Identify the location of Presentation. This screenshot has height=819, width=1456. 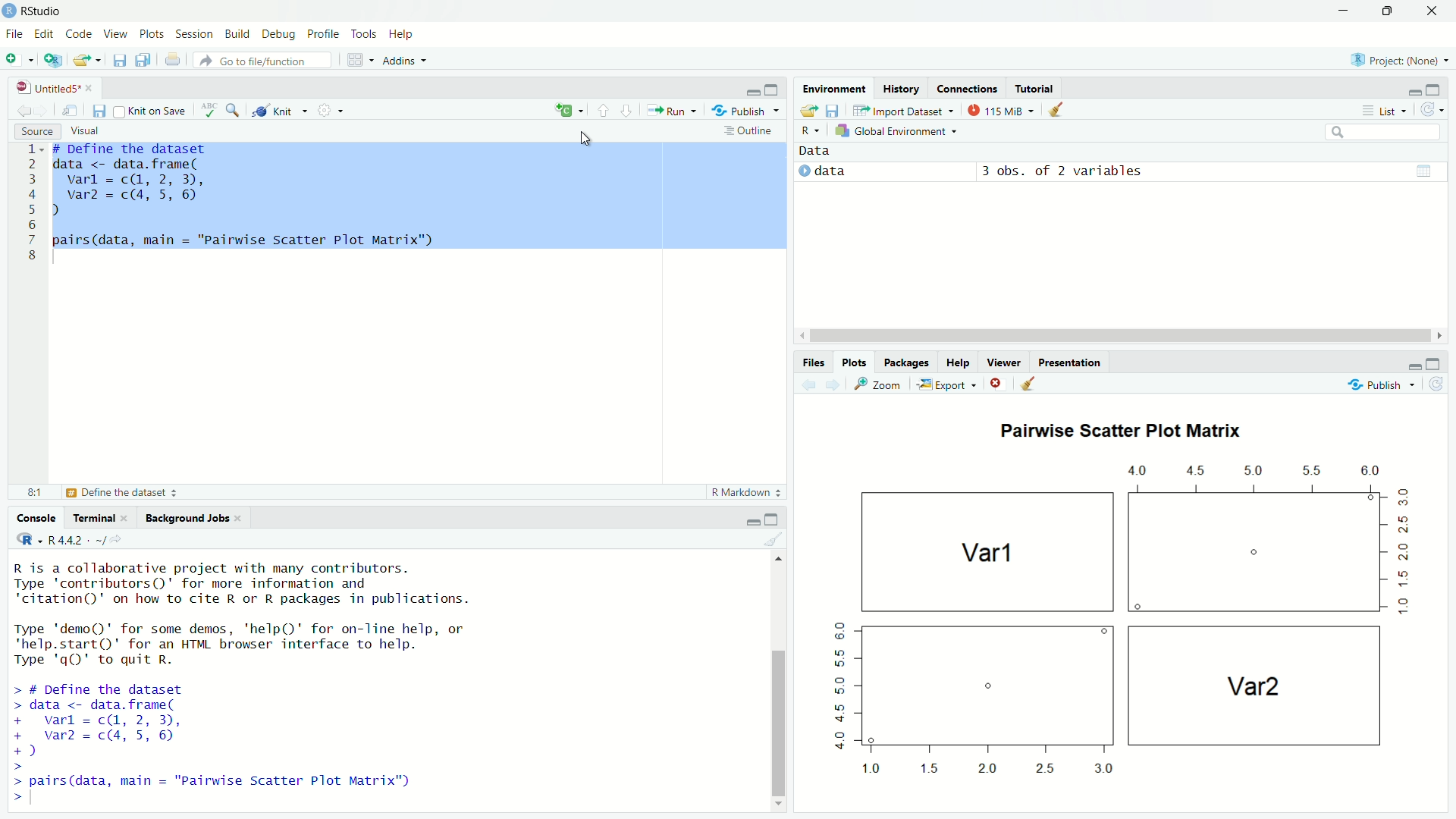
(1071, 362).